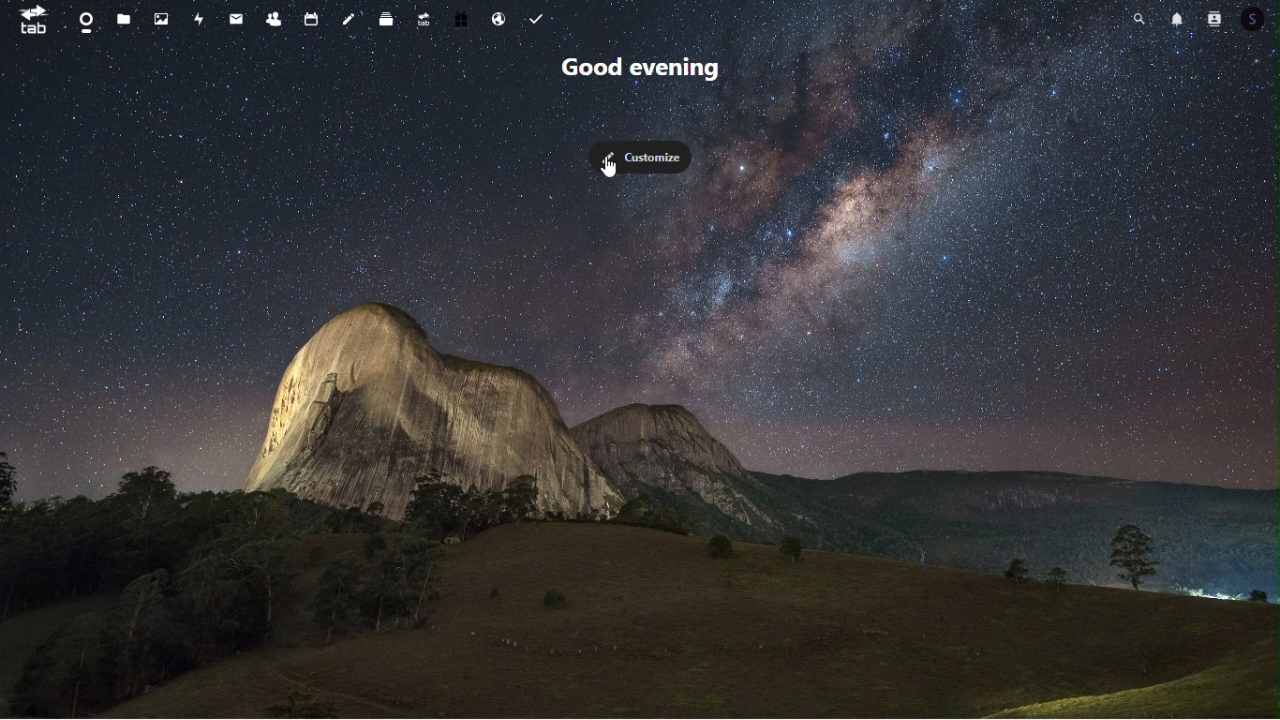  I want to click on Dashboard, so click(86, 17).